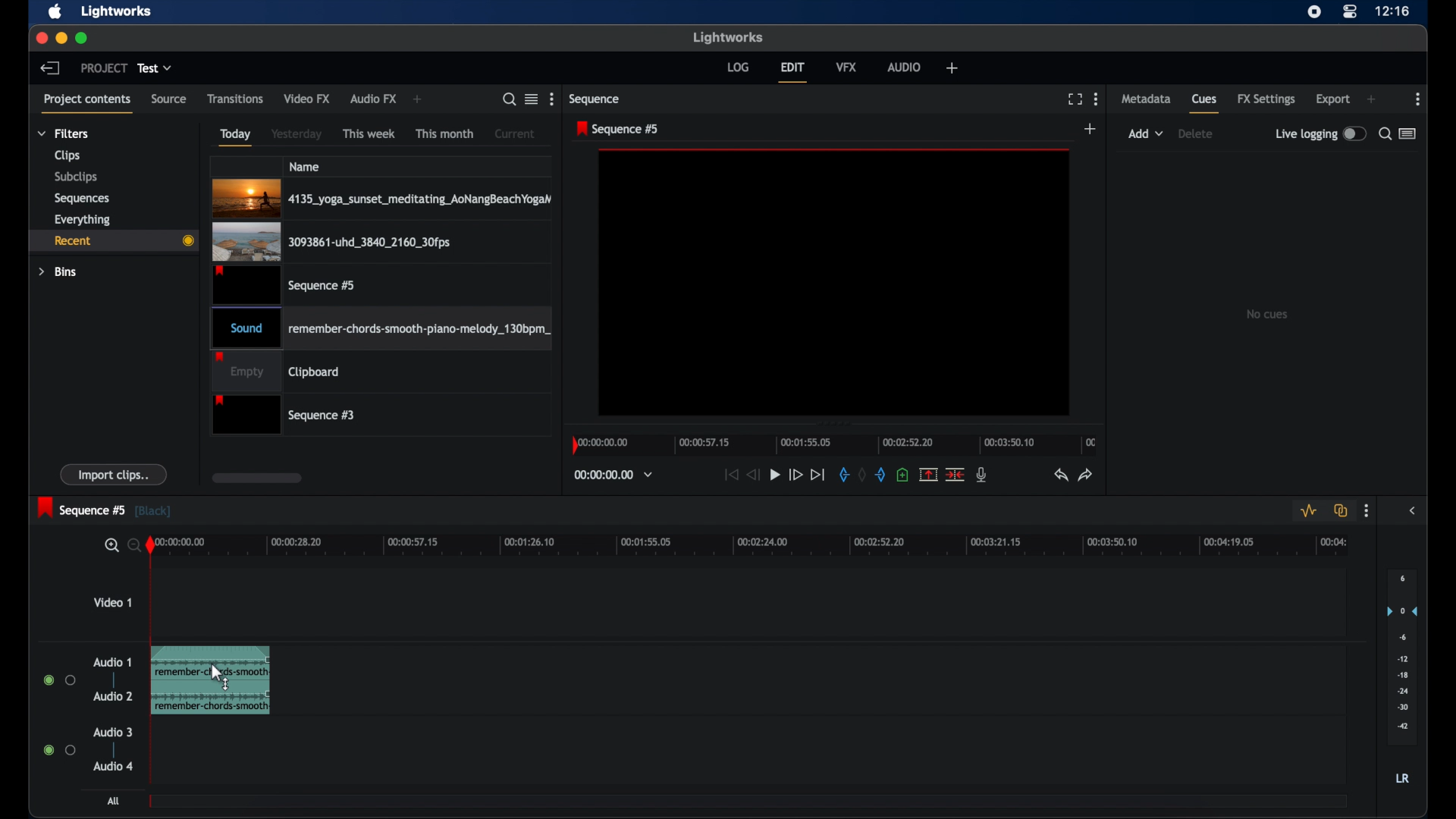 This screenshot has height=819, width=1456. What do you see at coordinates (1419, 99) in the screenshot?
I see `more options` at bounding box center [1419, 99].